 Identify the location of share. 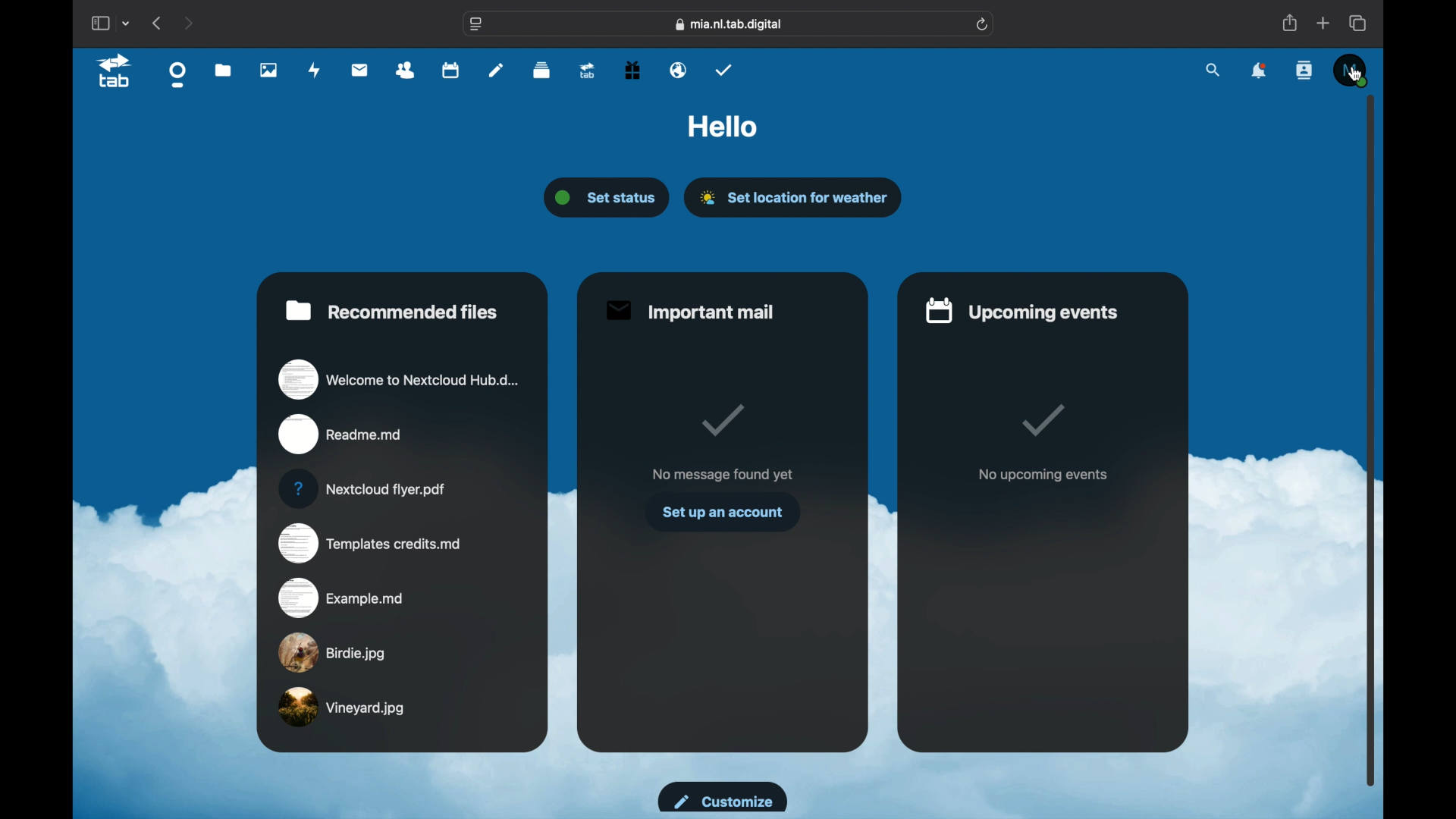
(1289, 24).